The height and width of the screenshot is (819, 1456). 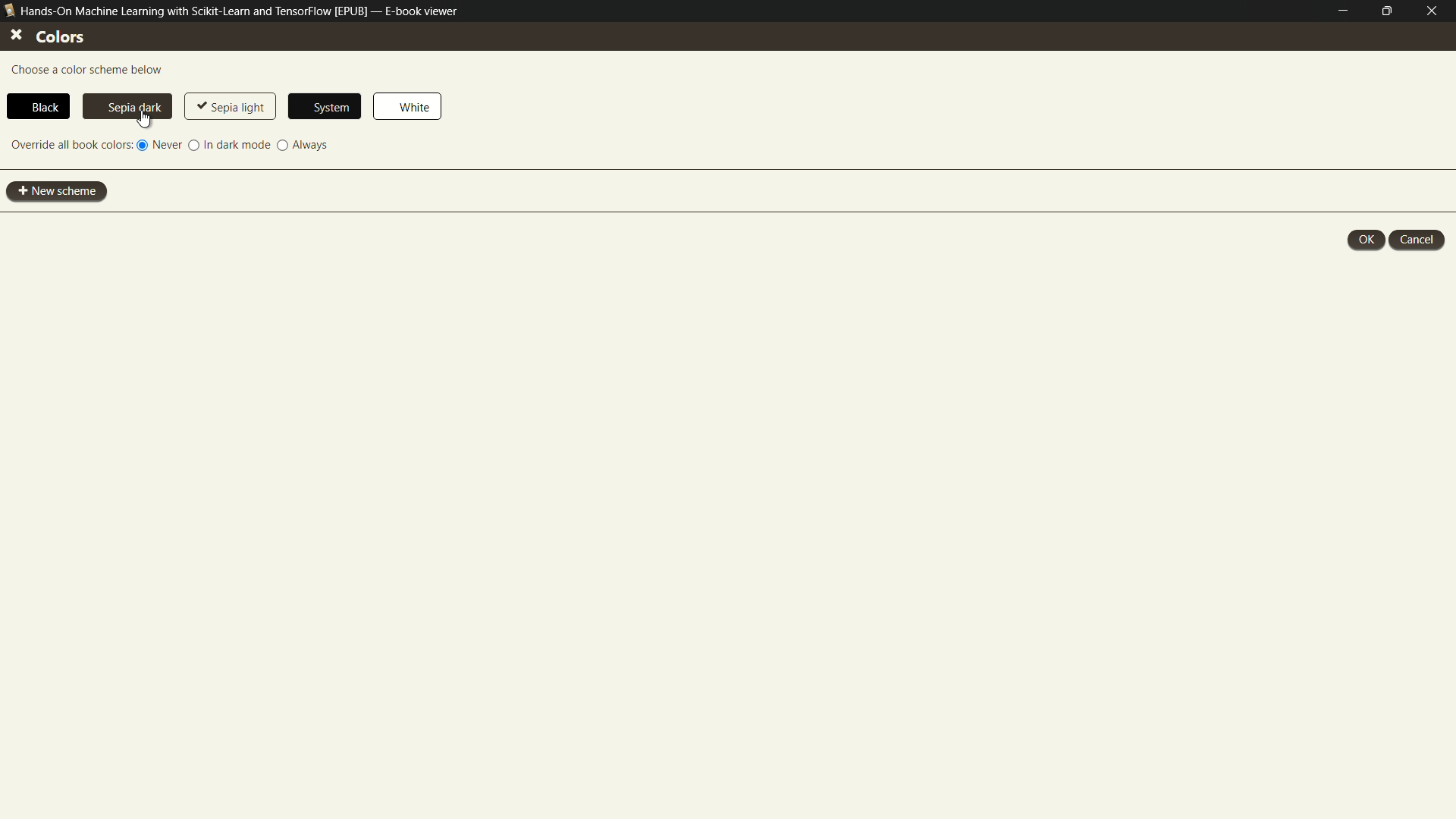 I want to click on black, so click(x=38, y=107).